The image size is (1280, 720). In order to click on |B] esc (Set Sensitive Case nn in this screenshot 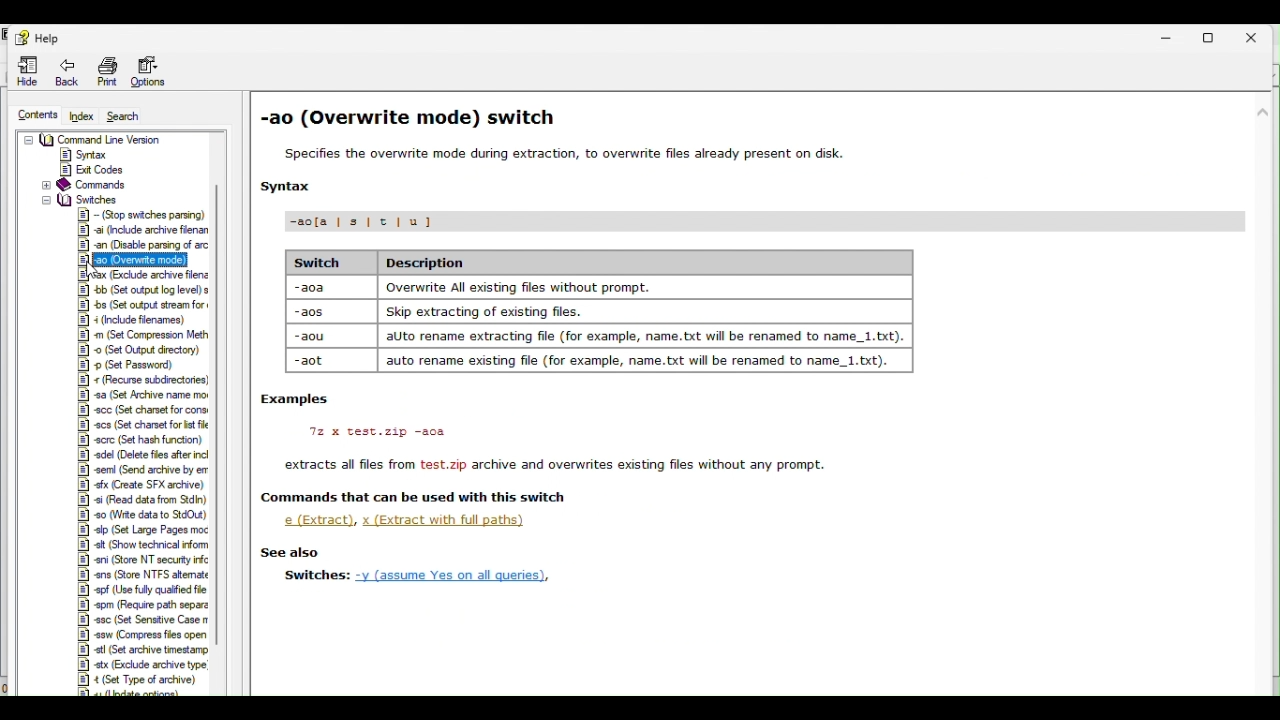, I will do `click(142, 619)`.